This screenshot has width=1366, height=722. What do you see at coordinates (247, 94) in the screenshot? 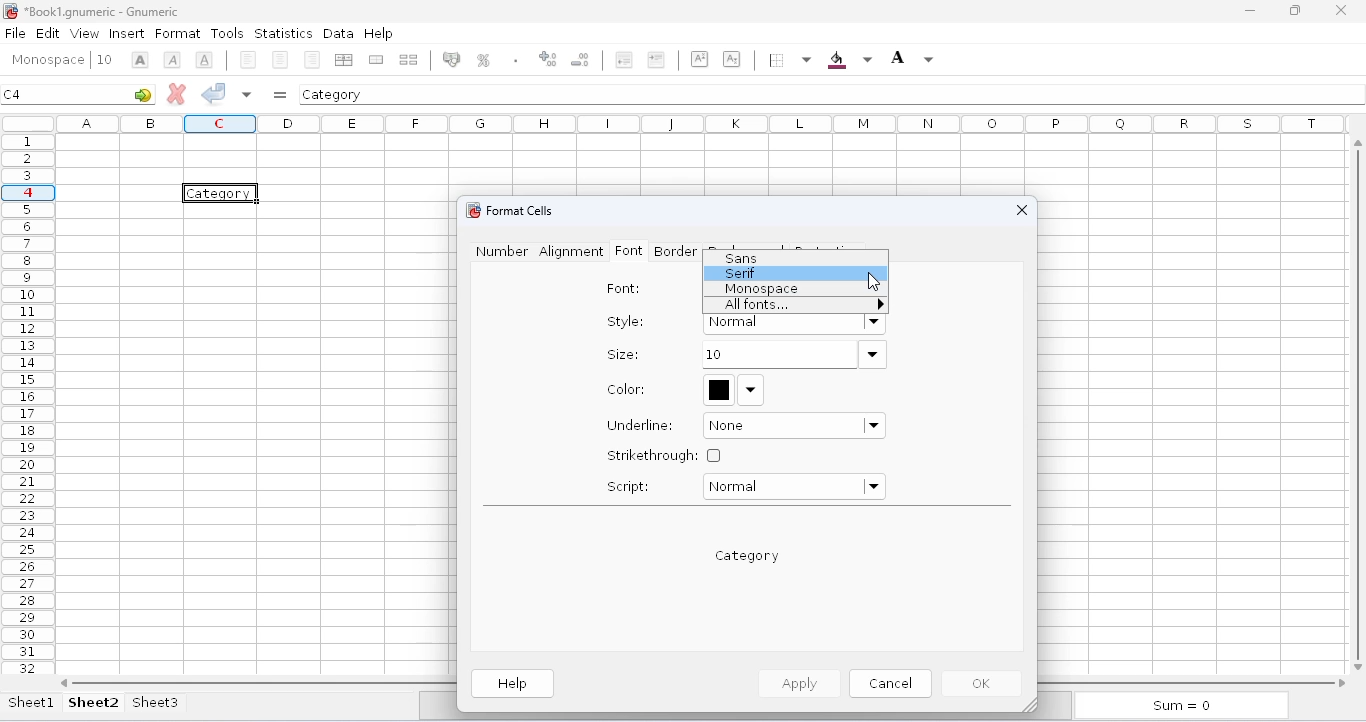
I see `accept changes to multiple cells` at bounding box center [247, 94].